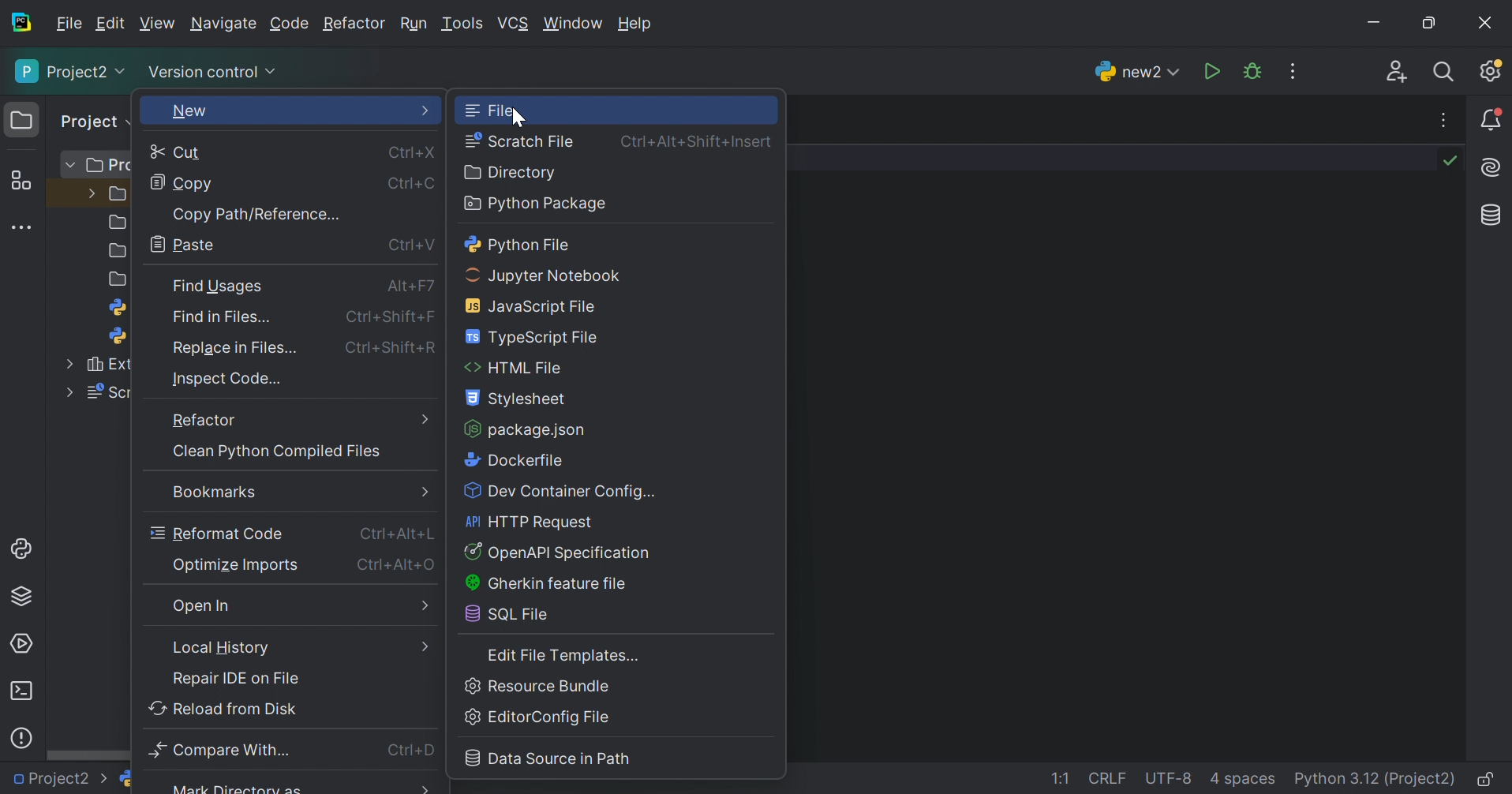 The image size is (1512, 794). Describe the element at coordinates (229, 379) in the screenshot. I see `Inspect code` at that location.